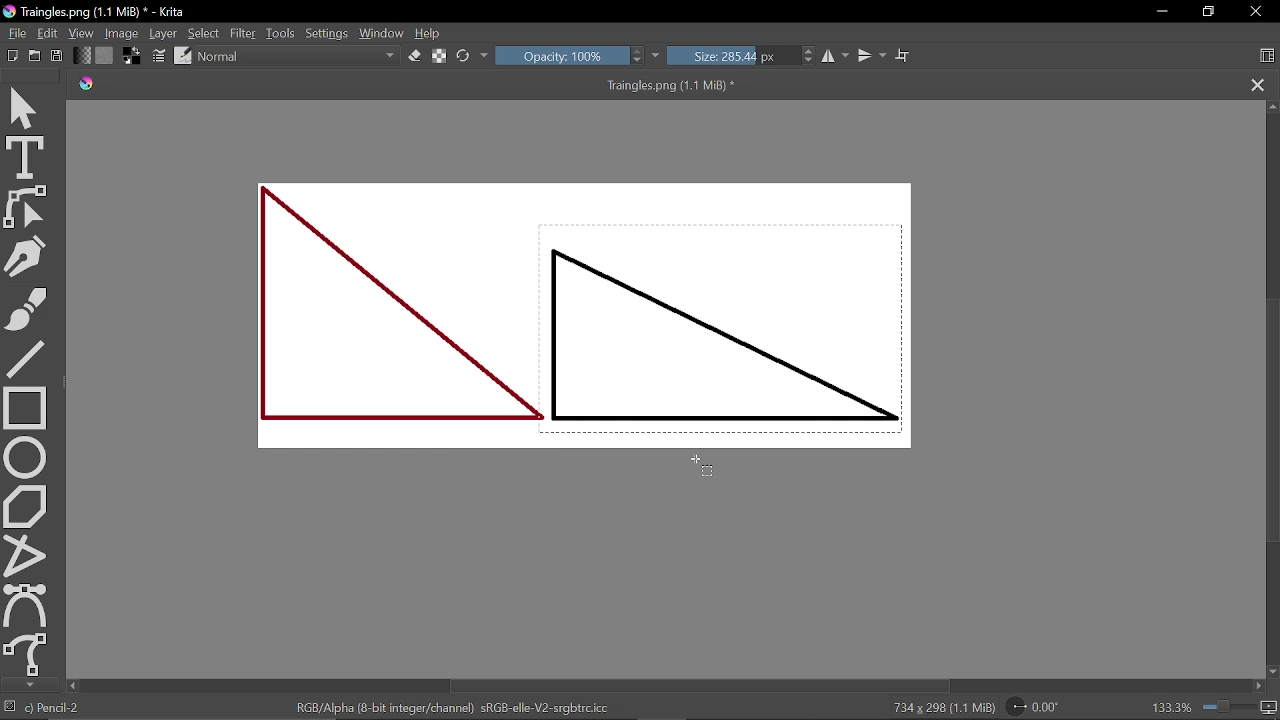 The height and width of the screenshot is (720, 1280). Describe the element at coordinates (134, 57) in the screenshot. I see `Background color` at that location.